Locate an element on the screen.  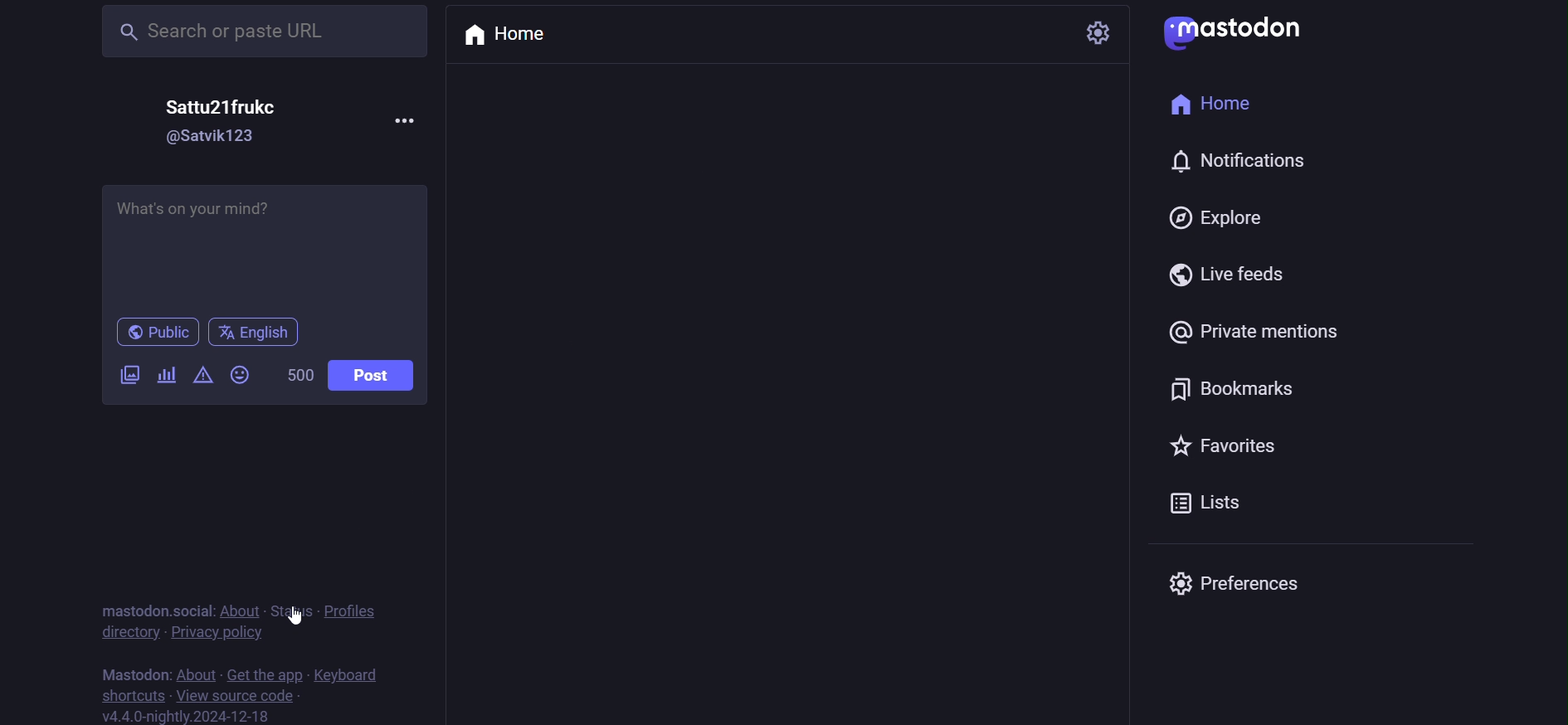
english is located at coordinates (256, 333).